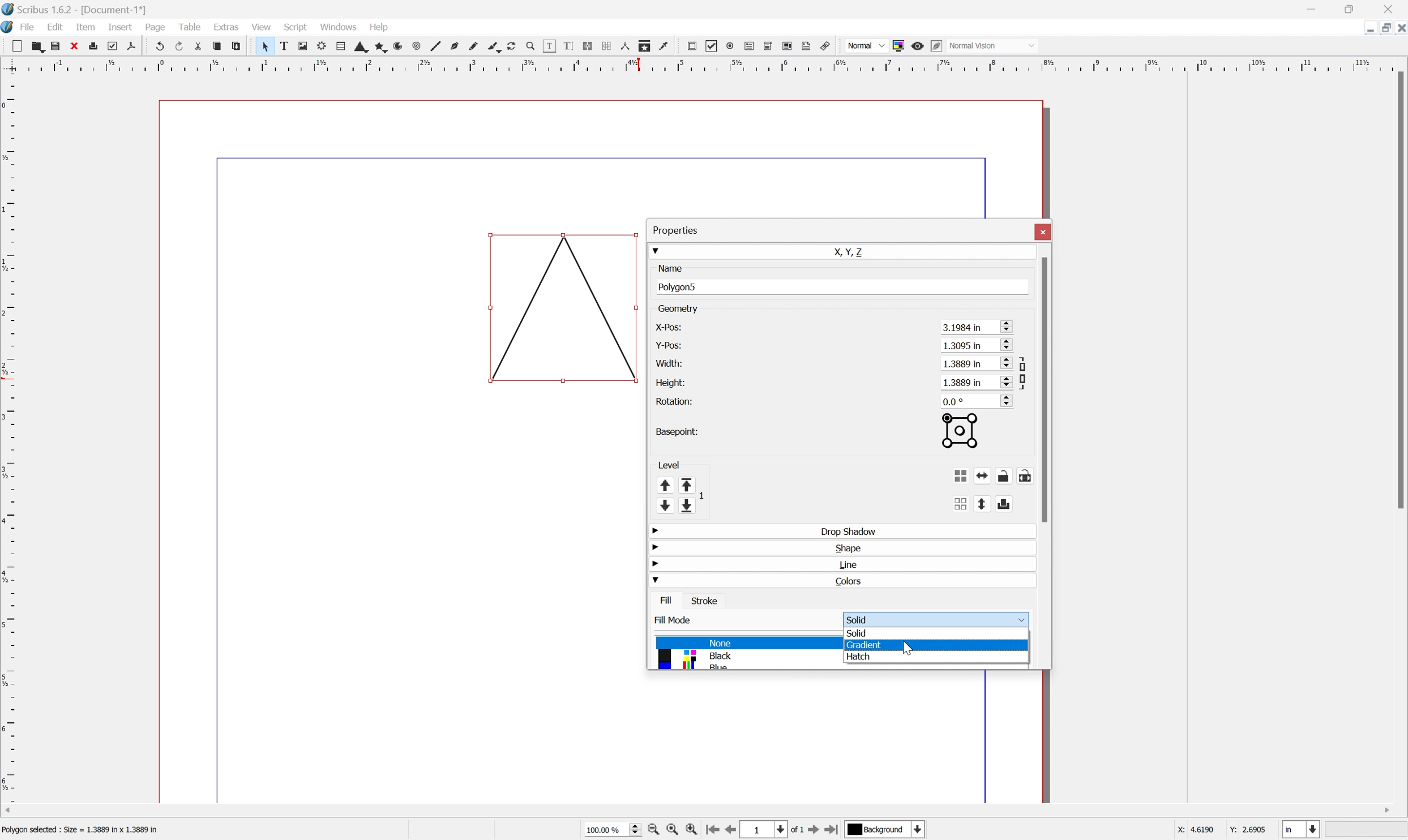 The height and width of the screenshot is (840, 1408). Describe the element at coordinates (335, 47) in the screenshot. I see `Table` at that location.